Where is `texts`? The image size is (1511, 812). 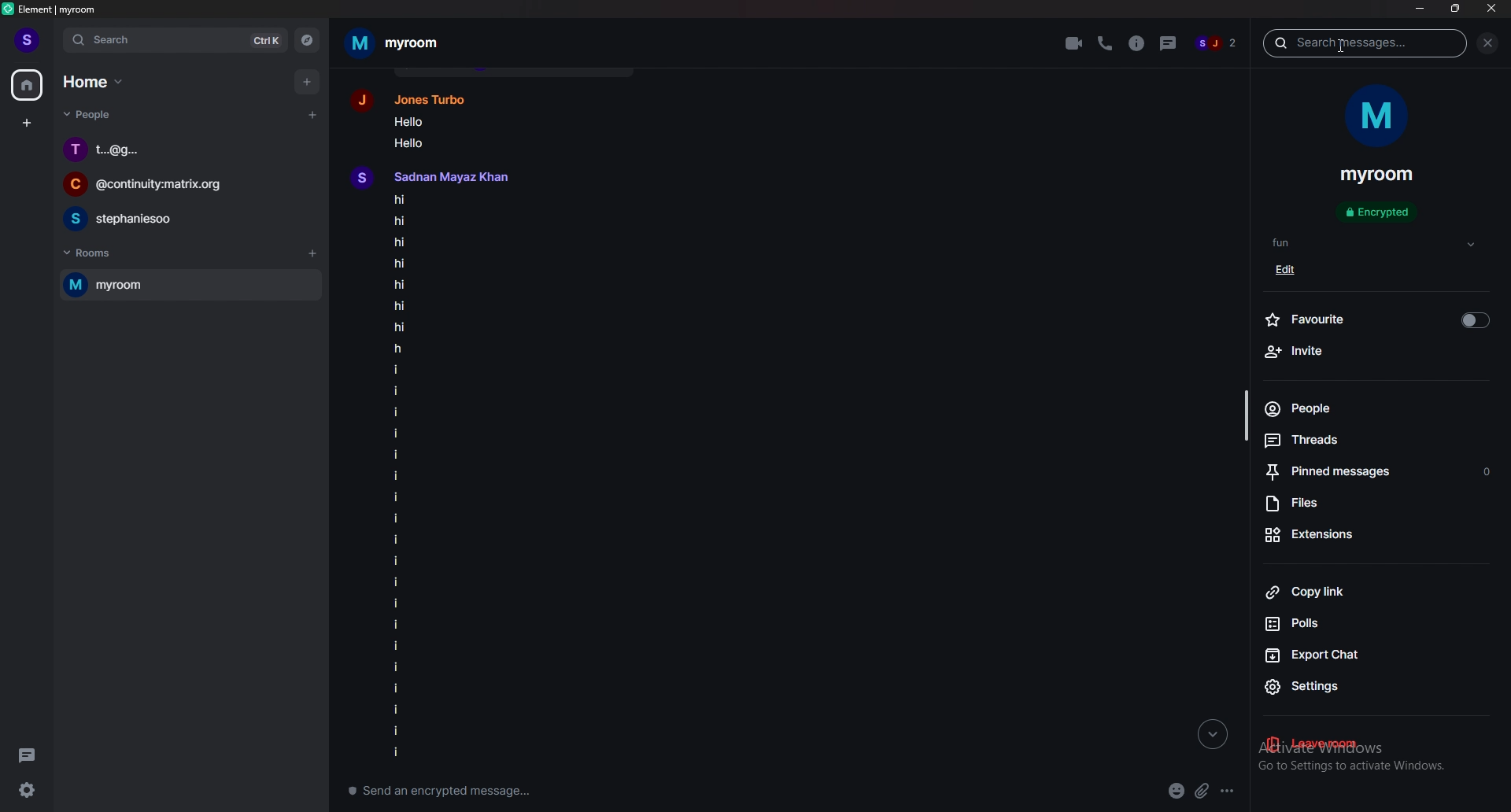 texts is located at coordinates (454, 476).